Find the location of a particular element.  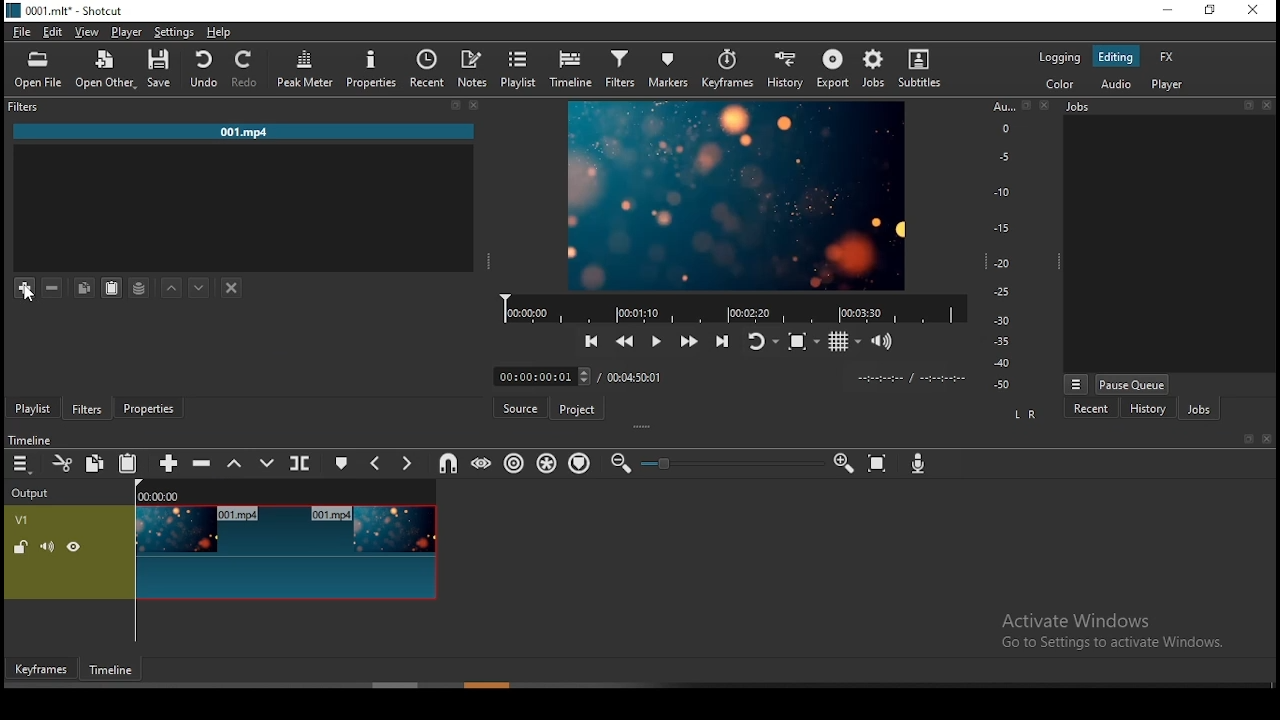

export is located at coordinates (832, 69).